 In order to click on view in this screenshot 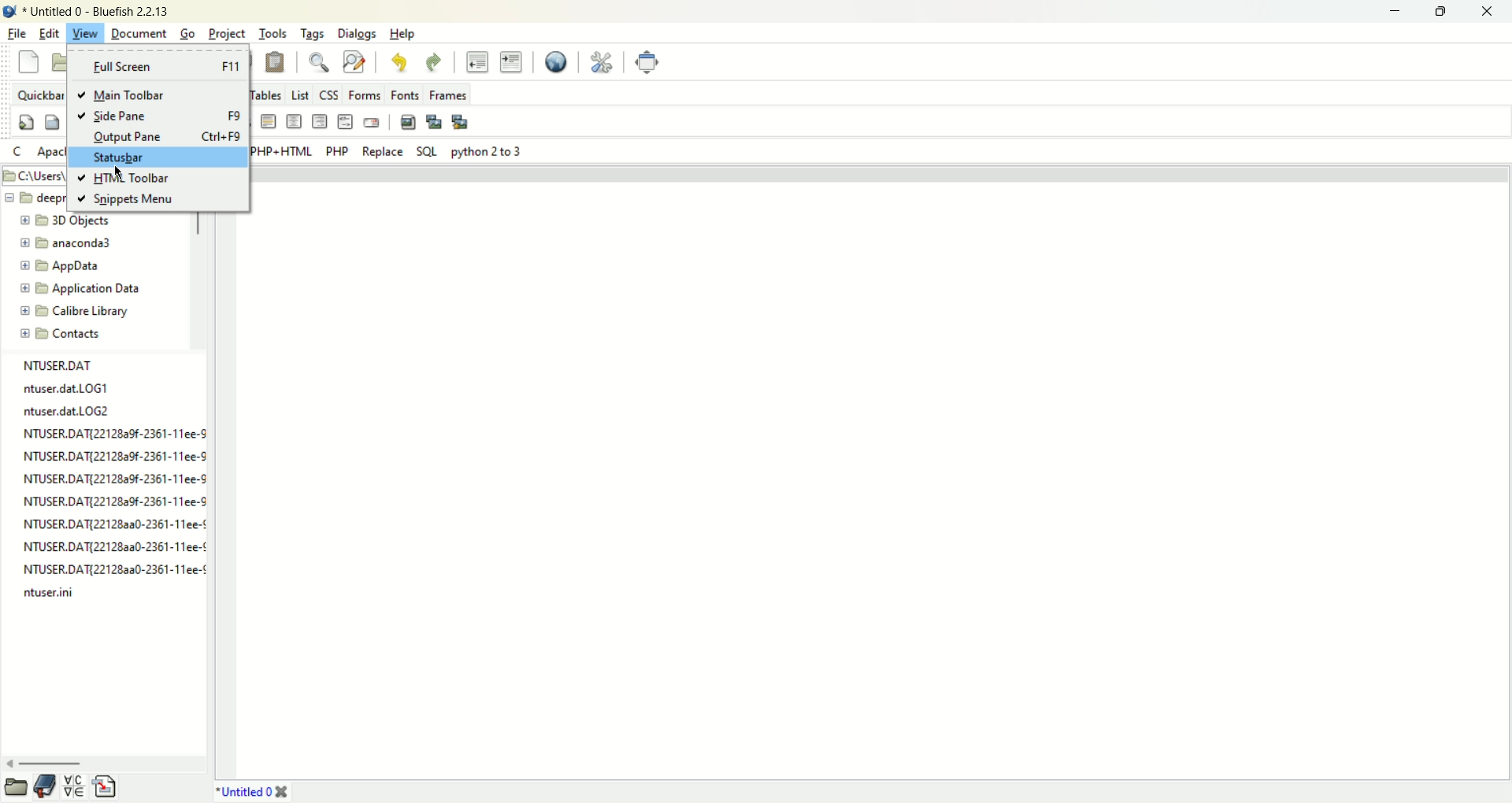, I will do `click(84, 35)`.